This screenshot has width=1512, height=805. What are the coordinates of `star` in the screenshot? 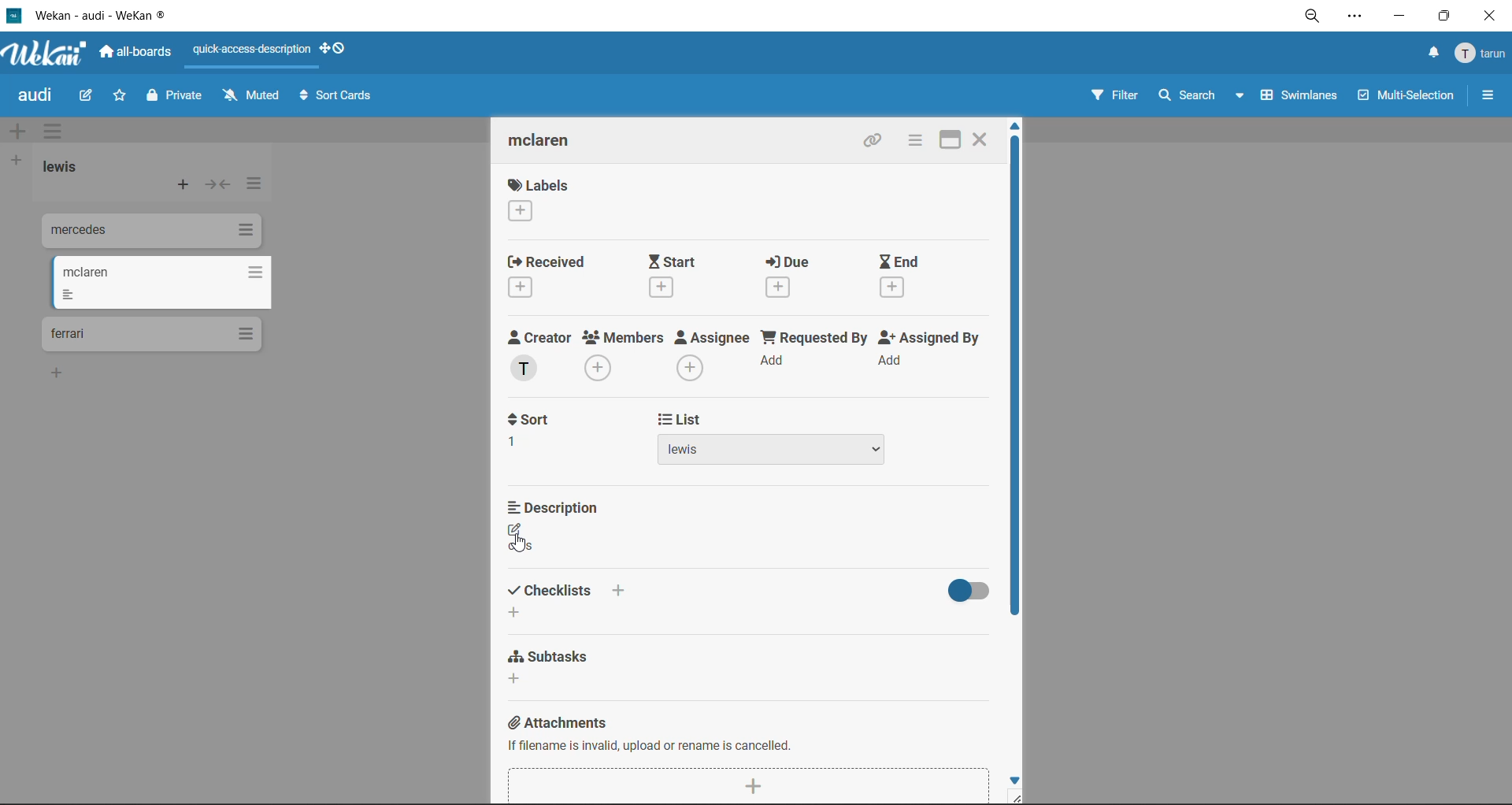 It's located at (117, 97).